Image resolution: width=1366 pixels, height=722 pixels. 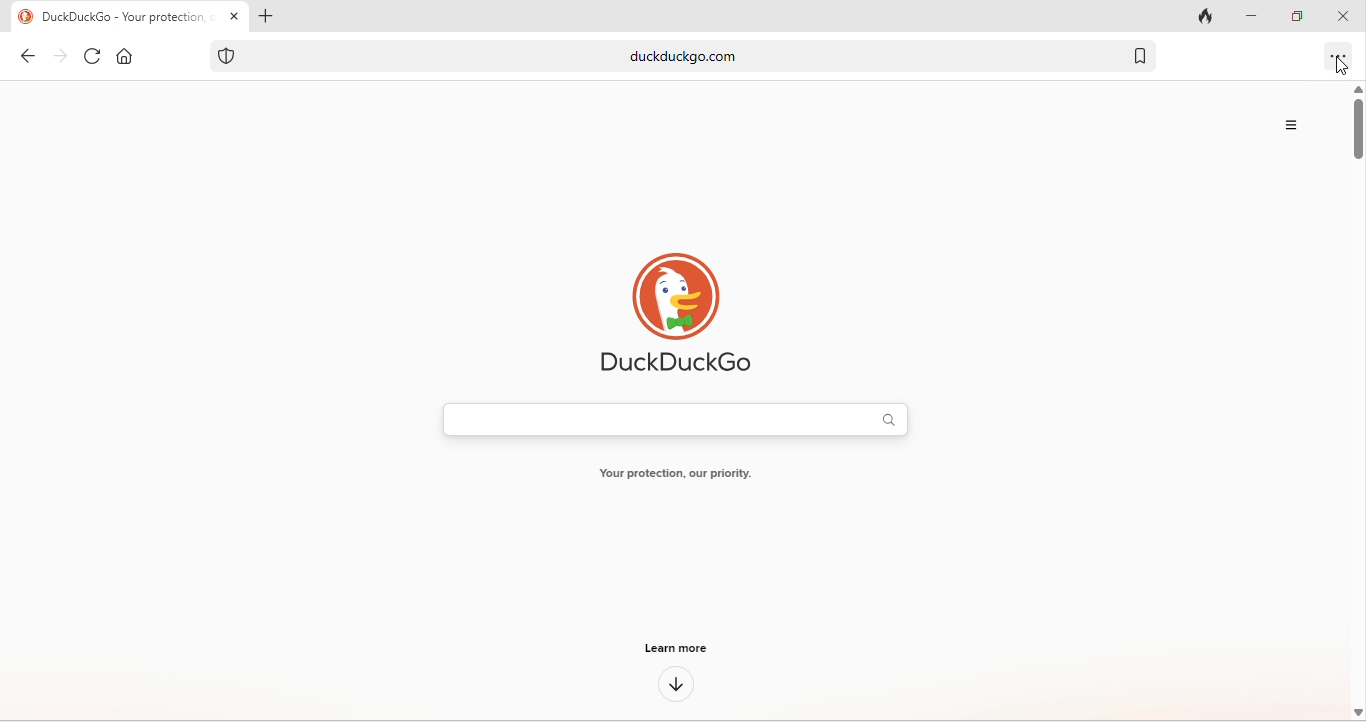 What do you see at coordinates (129, 59) in the screenshot?
I see `home` at bounding box center [129, 59].